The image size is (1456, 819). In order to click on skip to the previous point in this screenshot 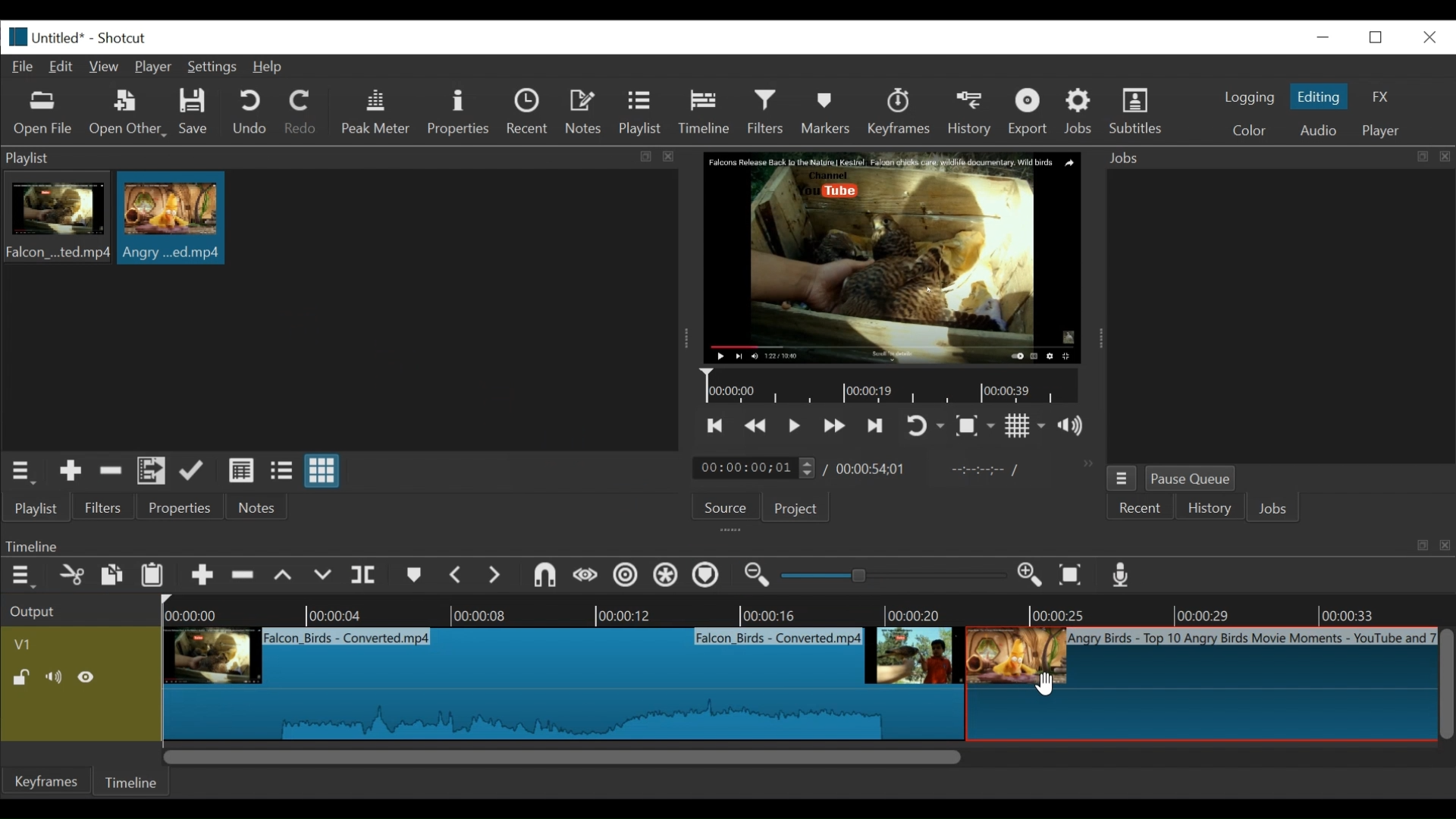, I will do `click(715, 426)`.